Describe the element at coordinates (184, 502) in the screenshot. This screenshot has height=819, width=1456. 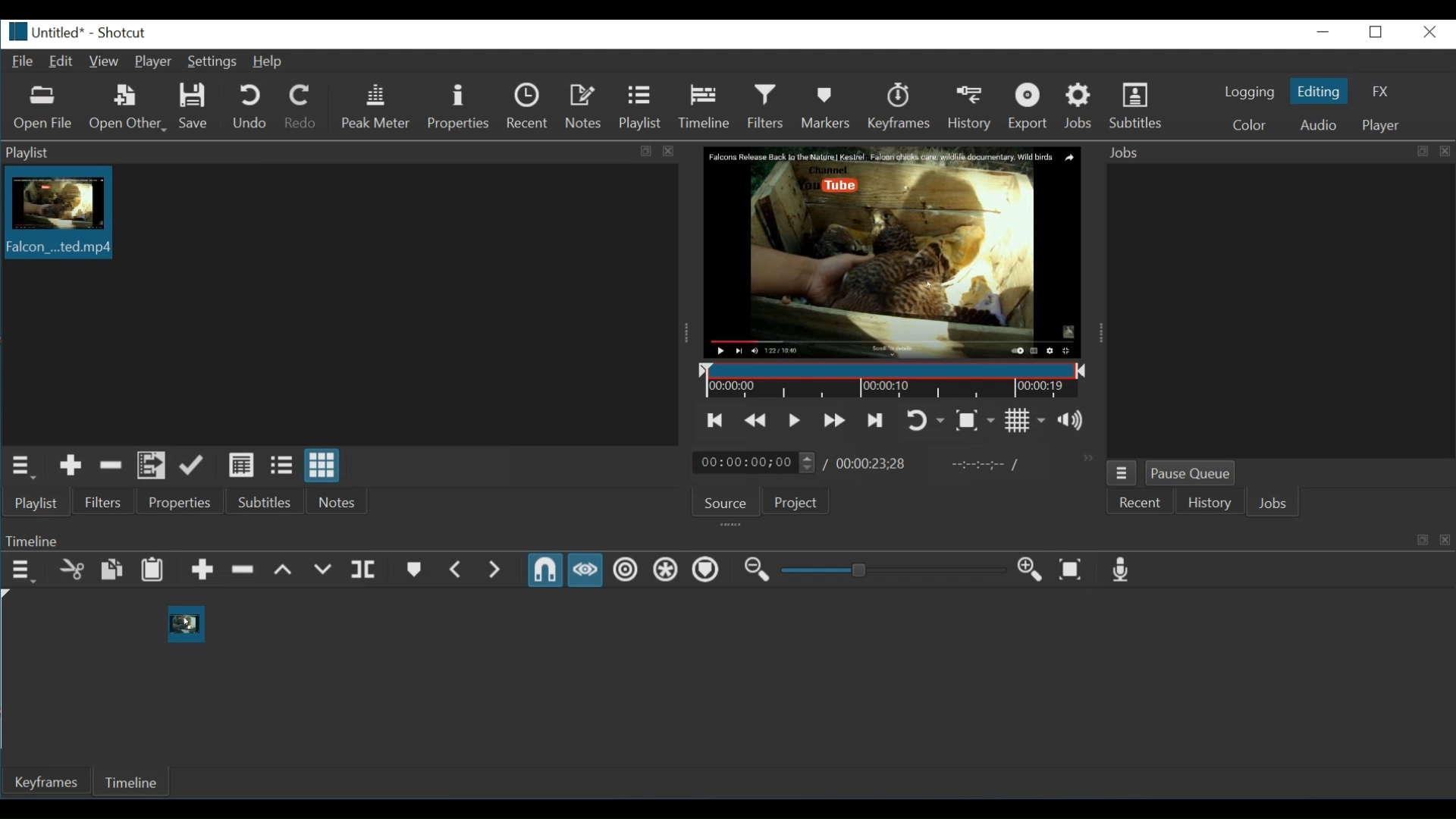
I see `Properties` at that location.